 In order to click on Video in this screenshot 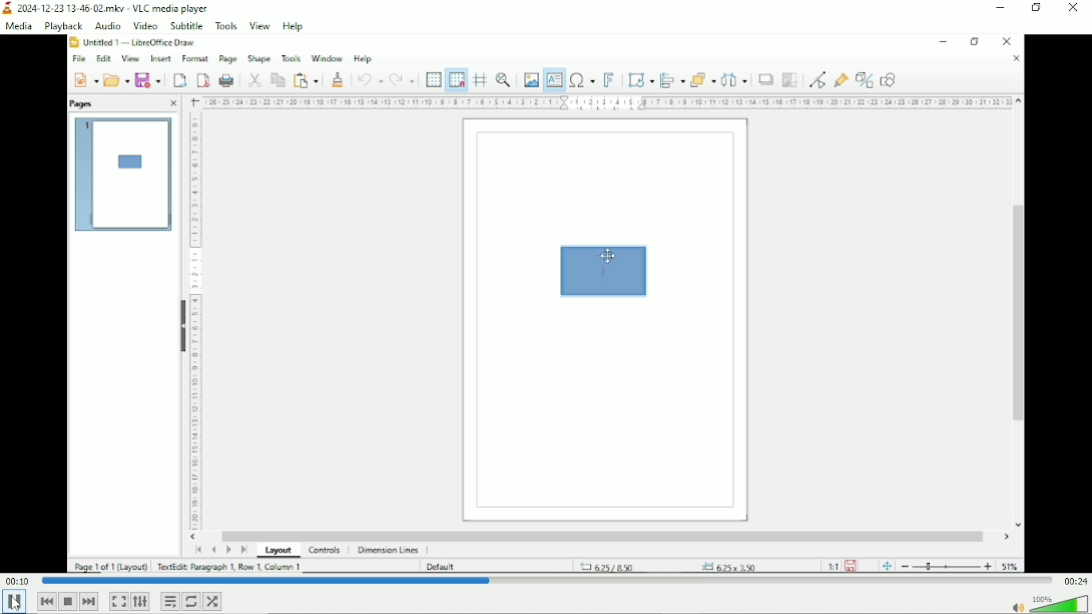, I will do `click(547, 304)`.